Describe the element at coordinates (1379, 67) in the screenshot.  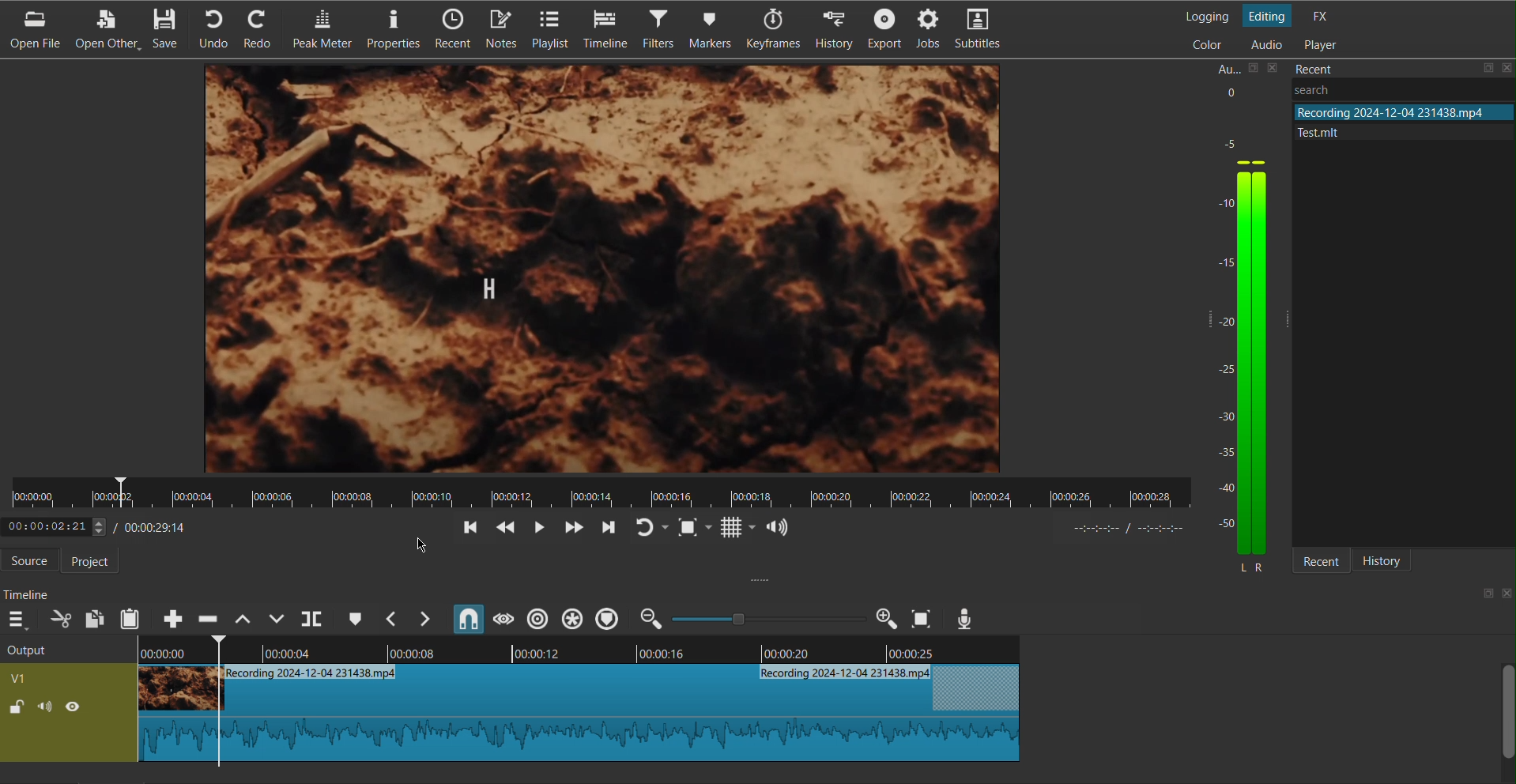
I see `Recent Files` at that location.